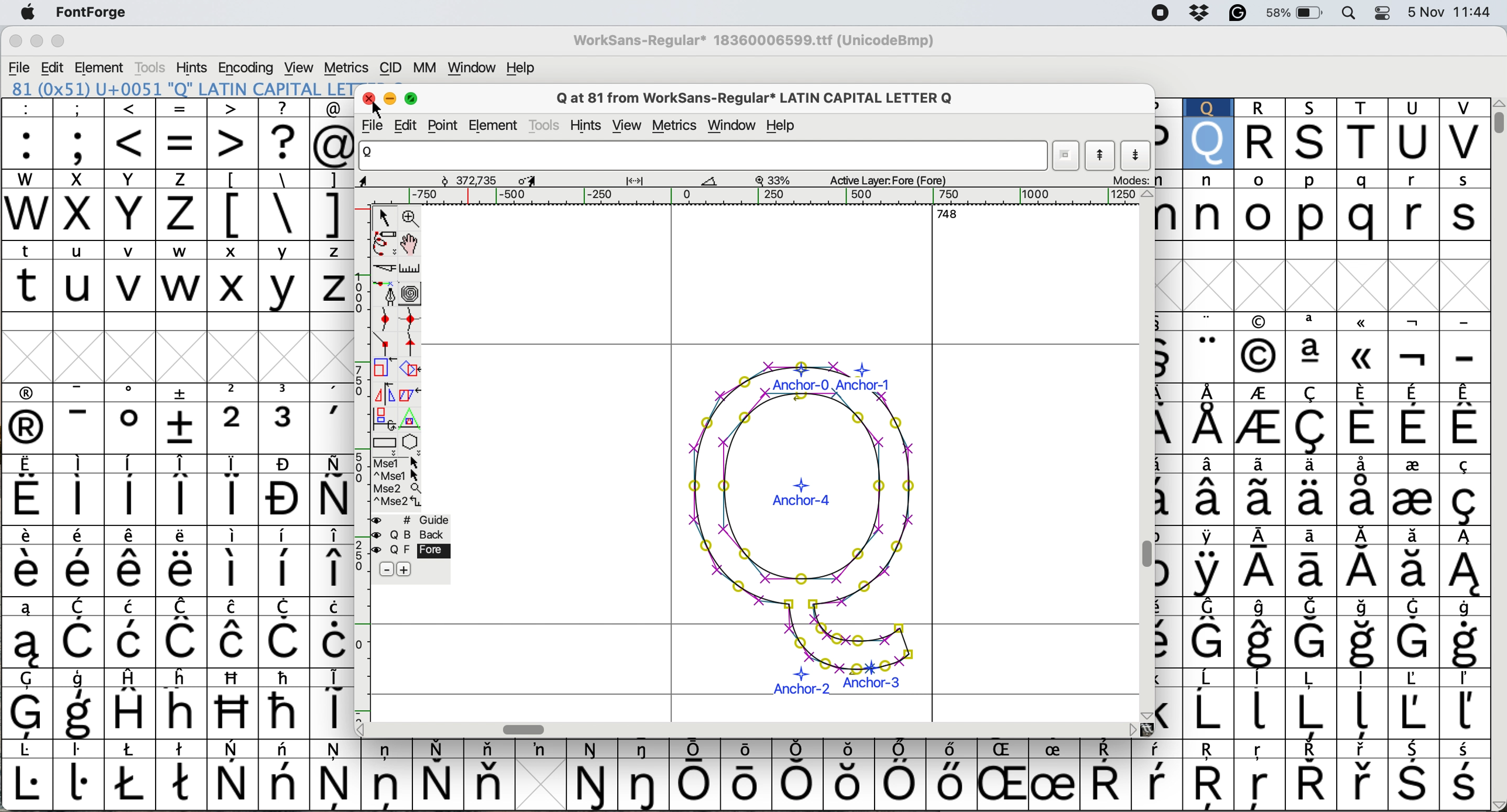 This screenshot has height=812, width=1507. What do you see at coordinates (410, 321) in the screenshot?
I see `add a curve point horizontal or vertical` at bounding box center [410, 321].